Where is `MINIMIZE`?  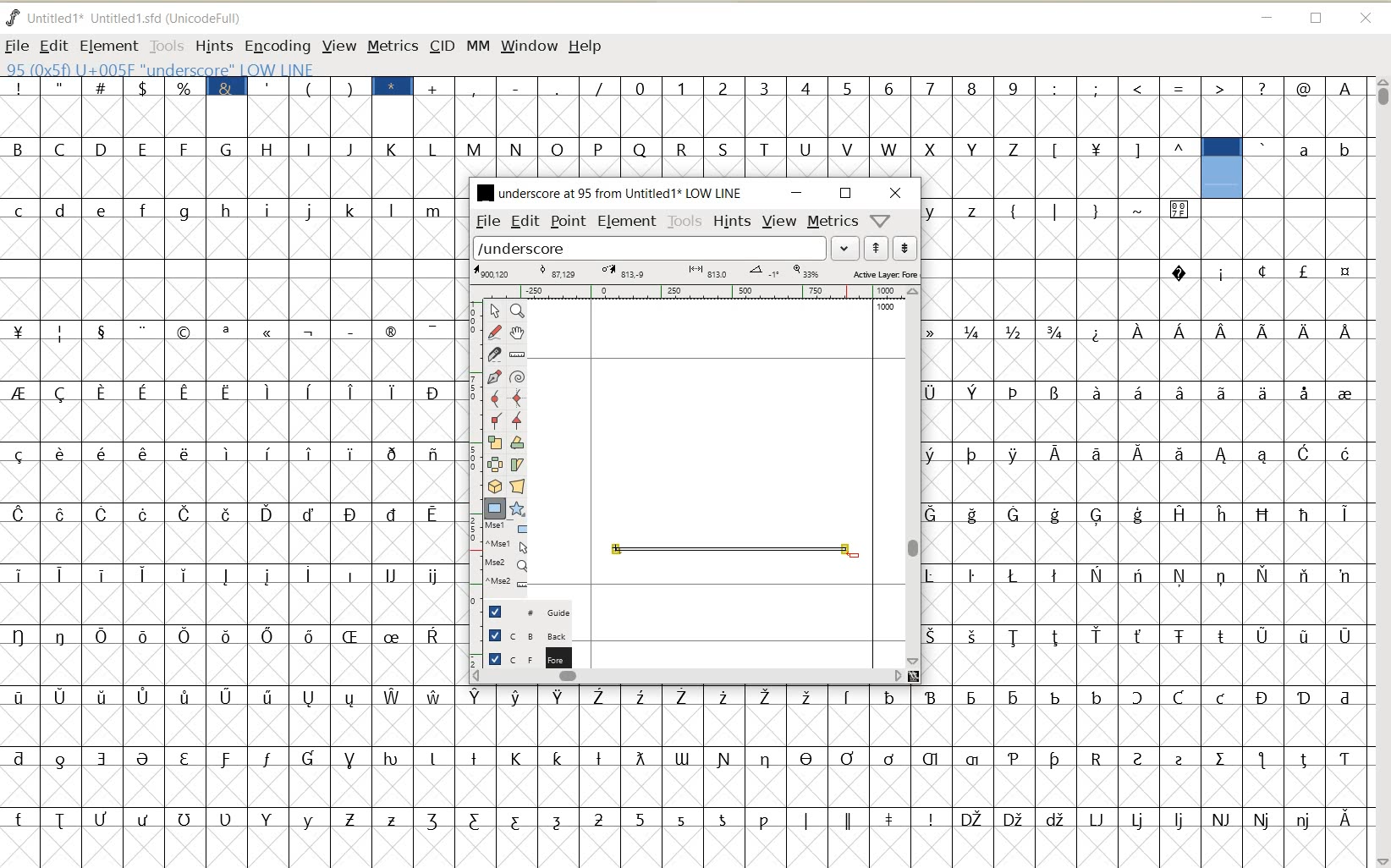
MINIMIZE is located at coordinates (1266, 15).